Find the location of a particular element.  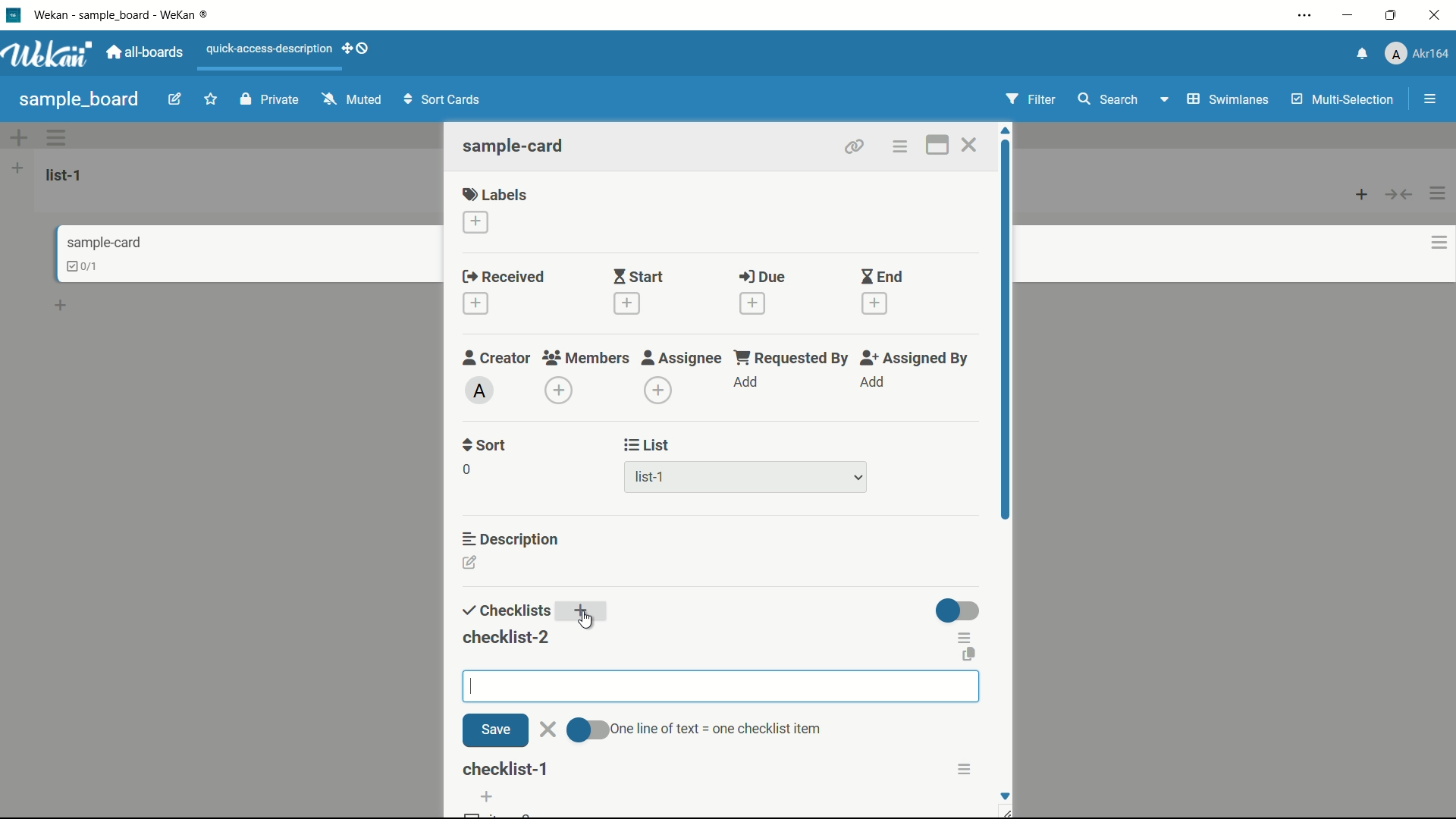

creator is located at coordinates (497, 357).